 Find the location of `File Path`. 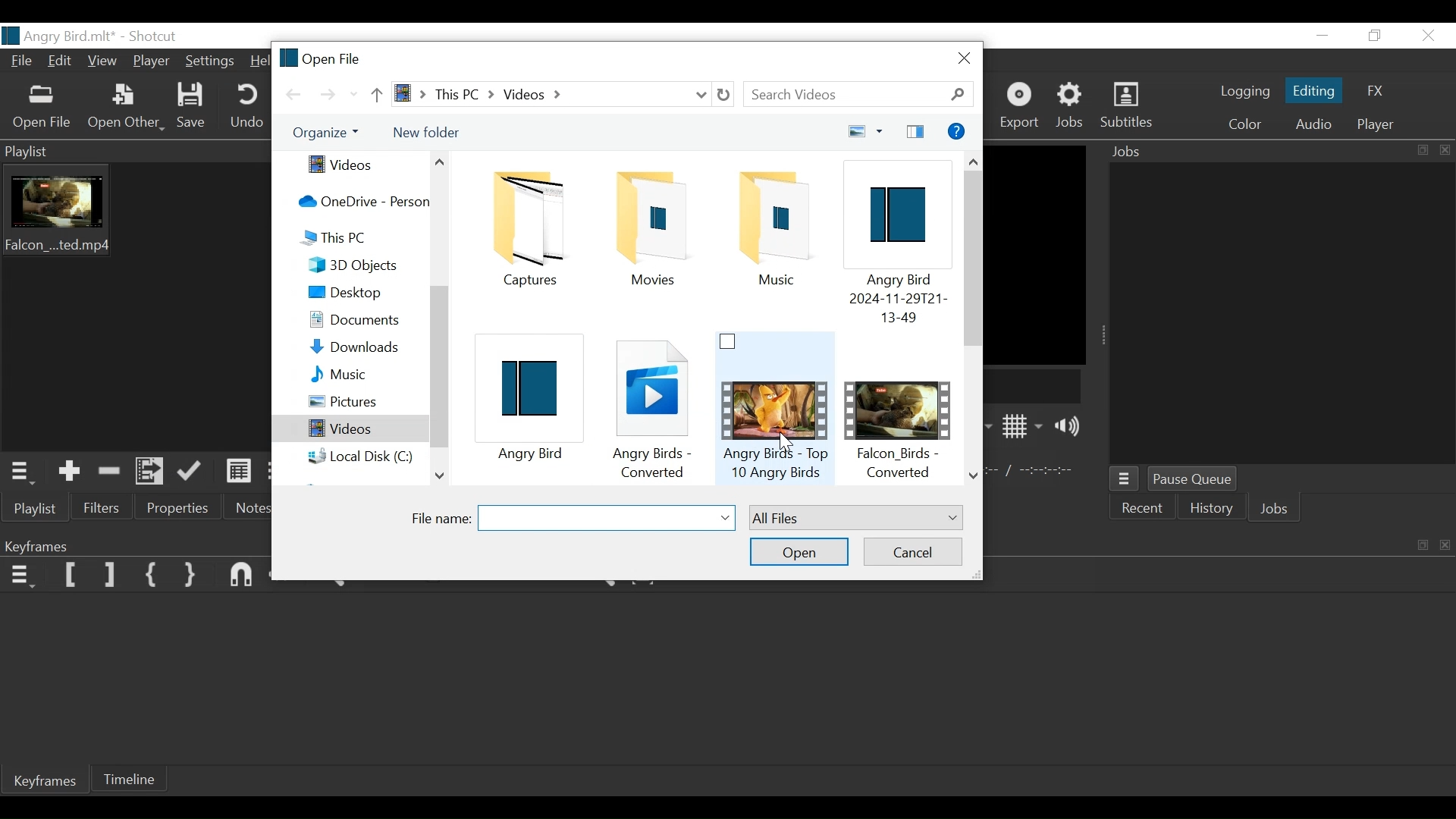

File Path is located at coordinates (551, 94).